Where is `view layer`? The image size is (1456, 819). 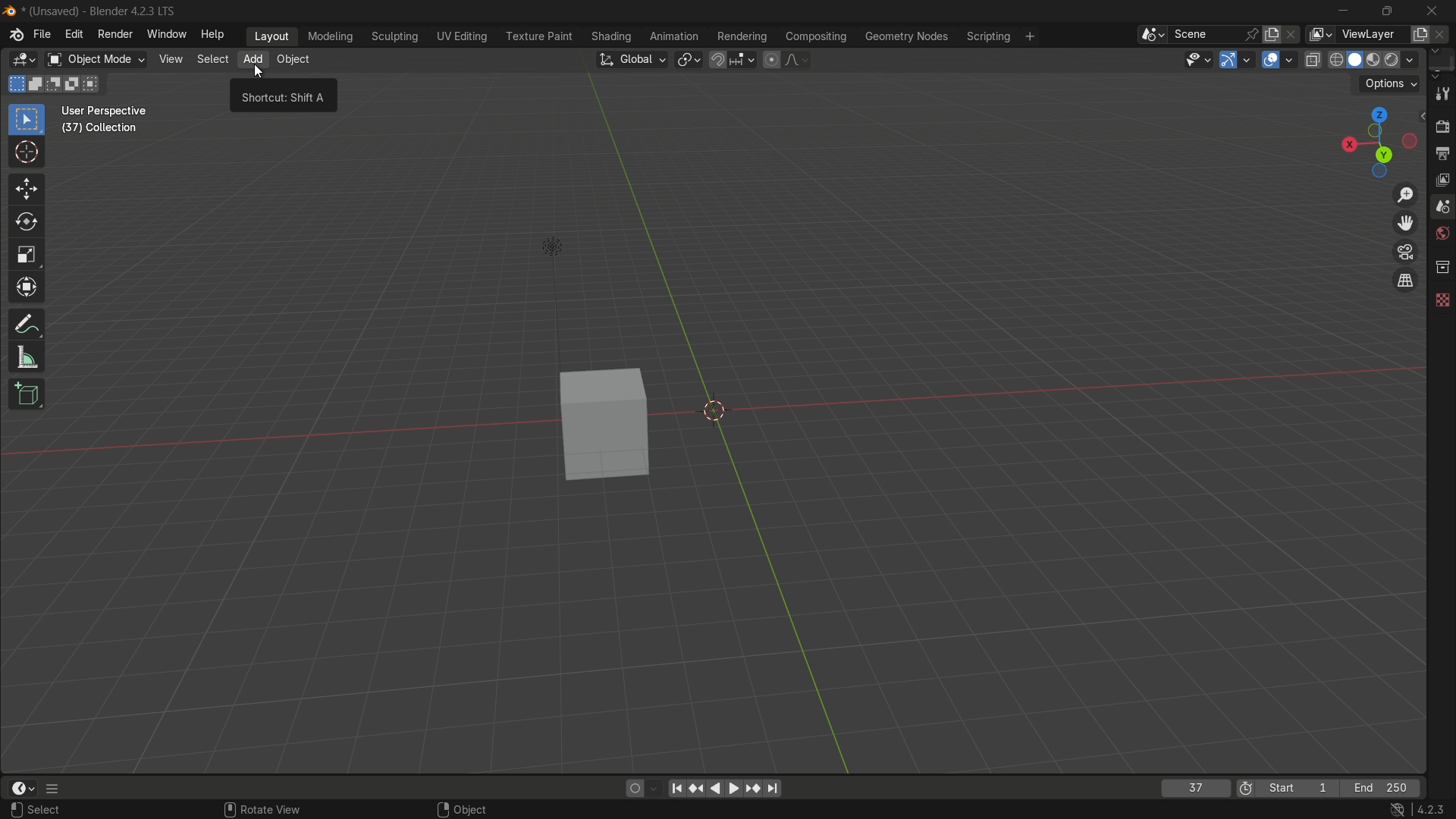 view layer is located at coordinates (1321, 35).